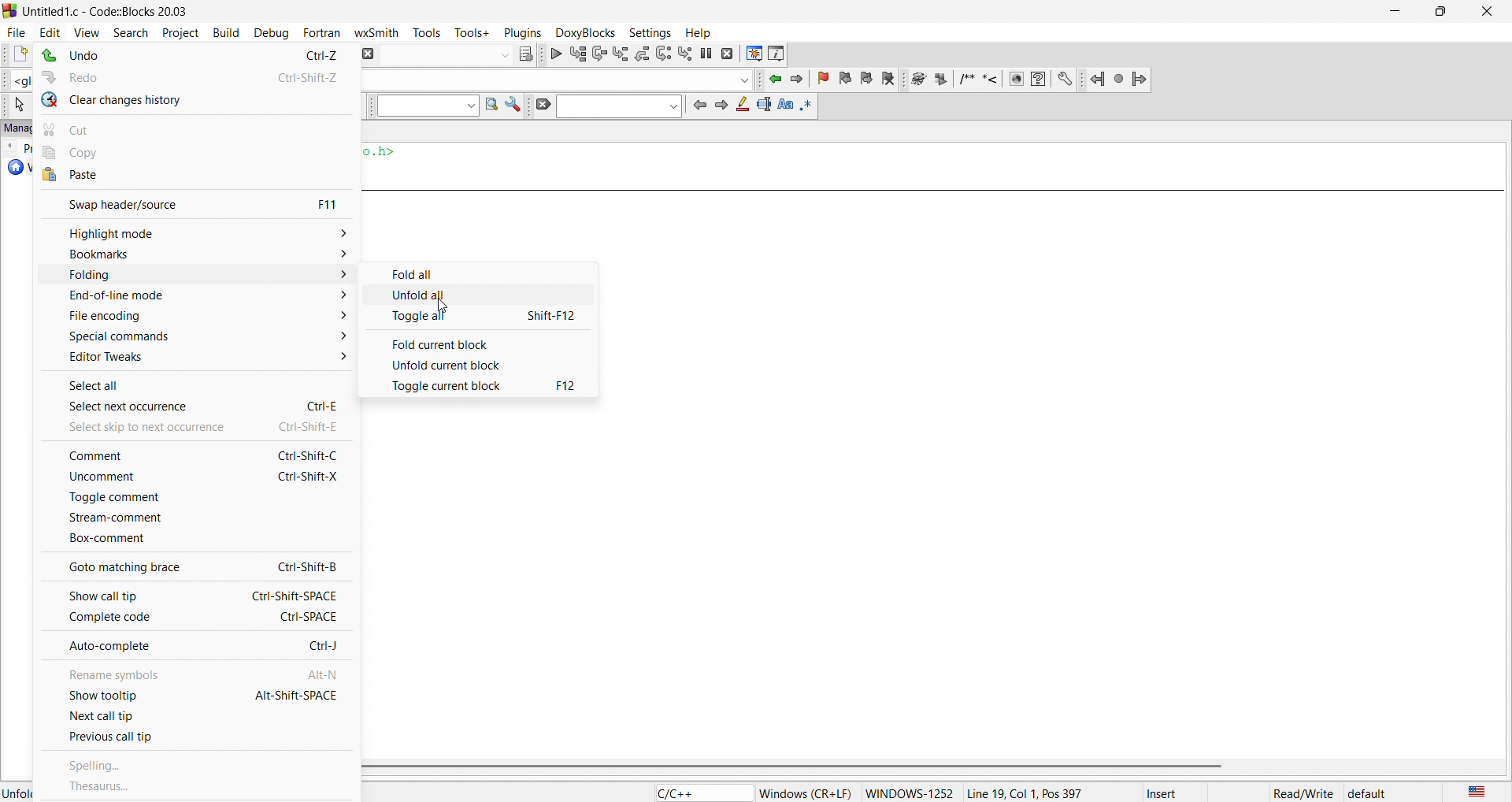 Image resolution: width=1512 pixels, height=802 pixels. I want to click on pllugins, so click(520, 31).